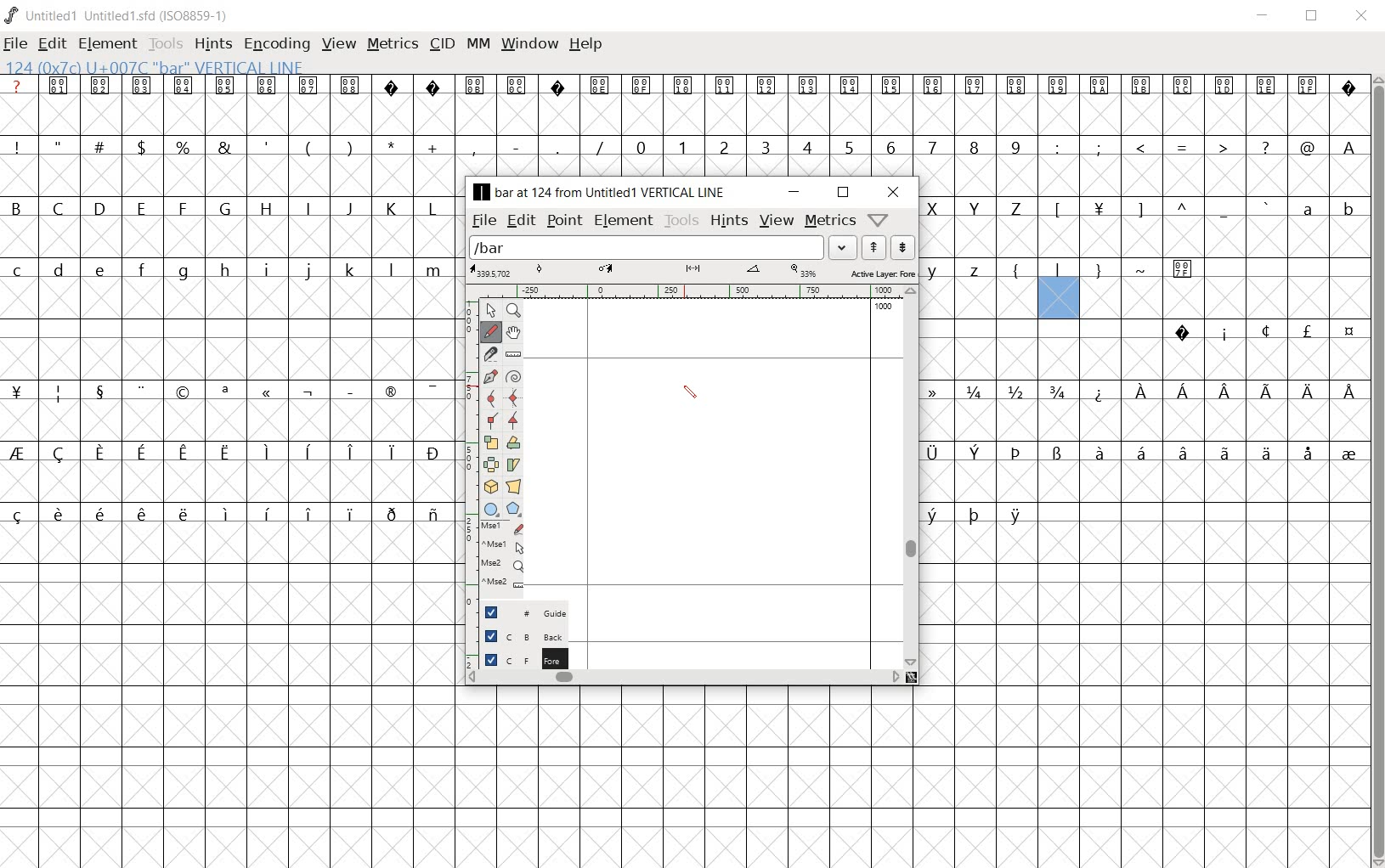 The width and height of the screenshot is (1385, 868). Describe the element at coordinates (909, 476) in the screenshot. I see `scrollbar` at that location.